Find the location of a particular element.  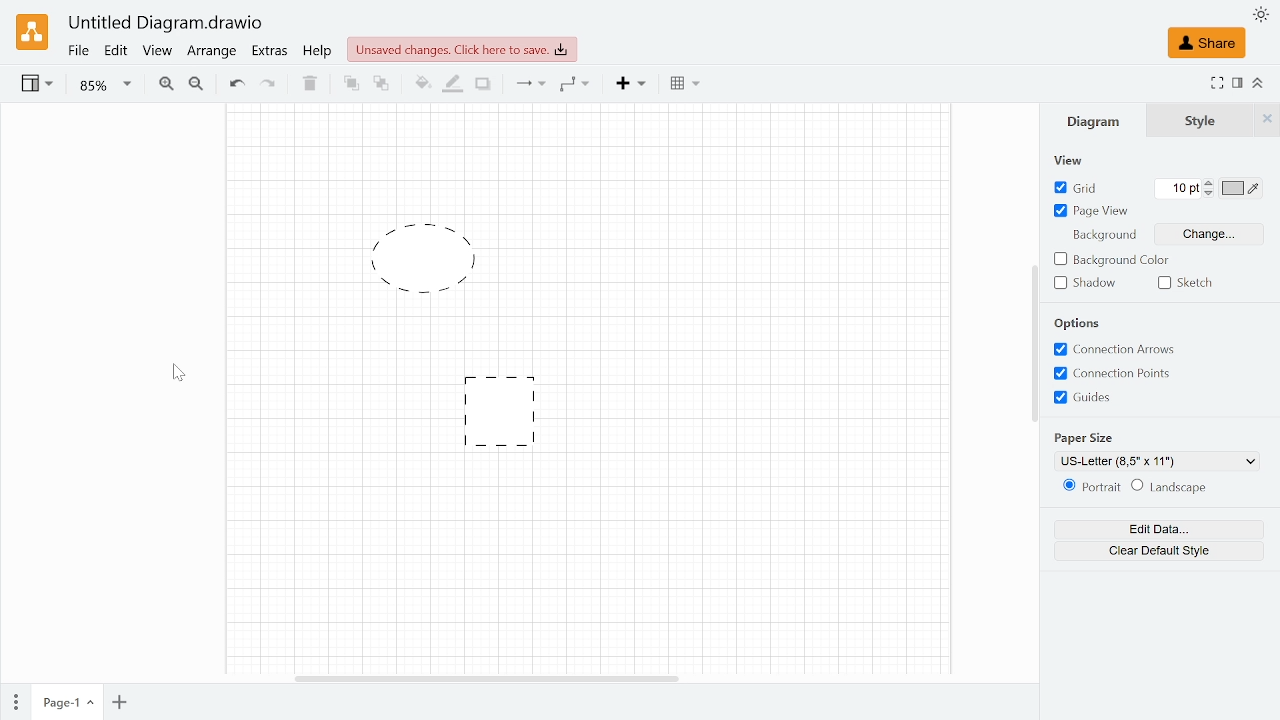

Edit is located at coordinates (117, 52).